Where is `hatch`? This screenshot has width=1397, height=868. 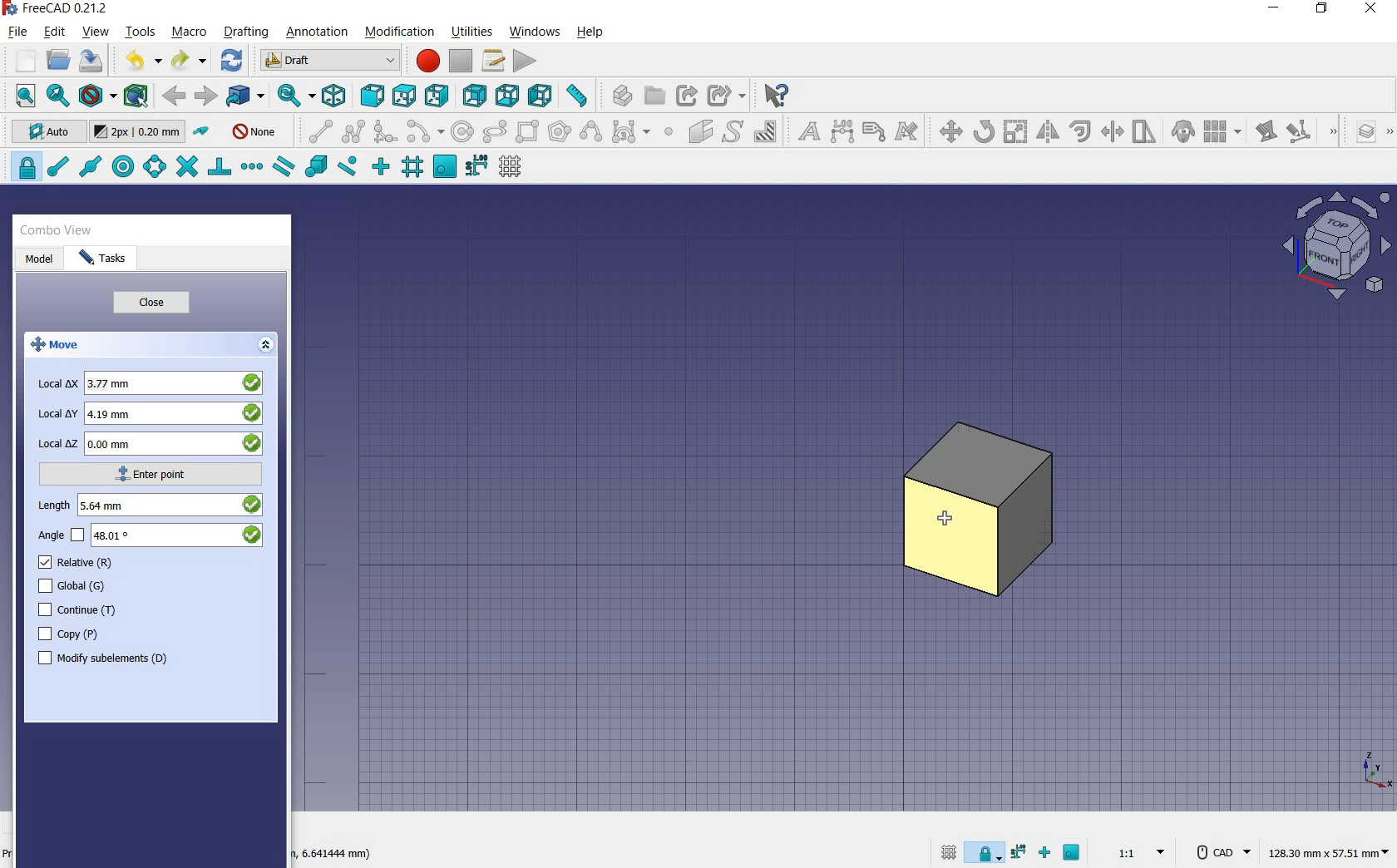
hatch is located at coordinates (766, 131).